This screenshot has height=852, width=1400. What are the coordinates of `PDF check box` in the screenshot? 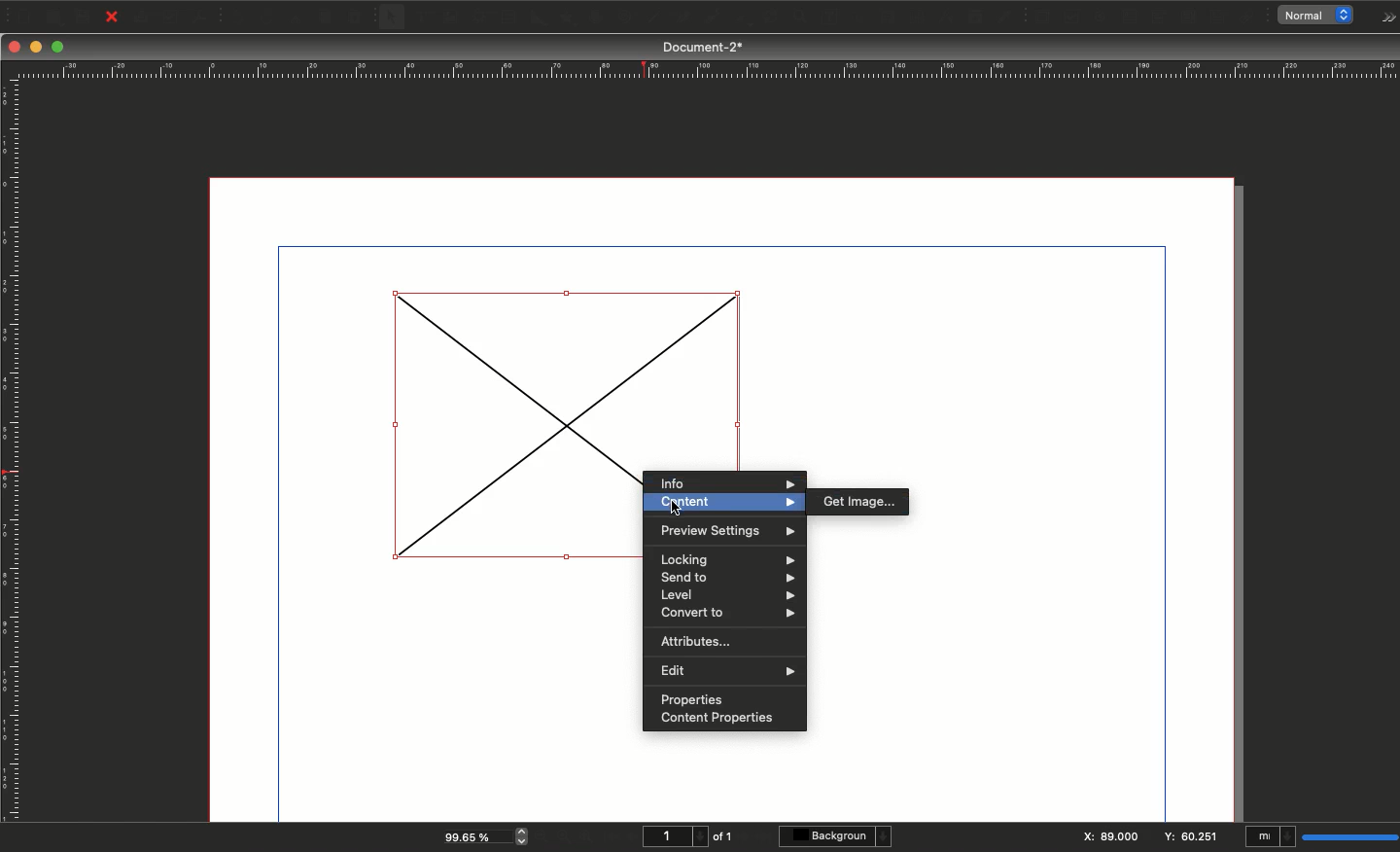 It's located at (1071, 18).